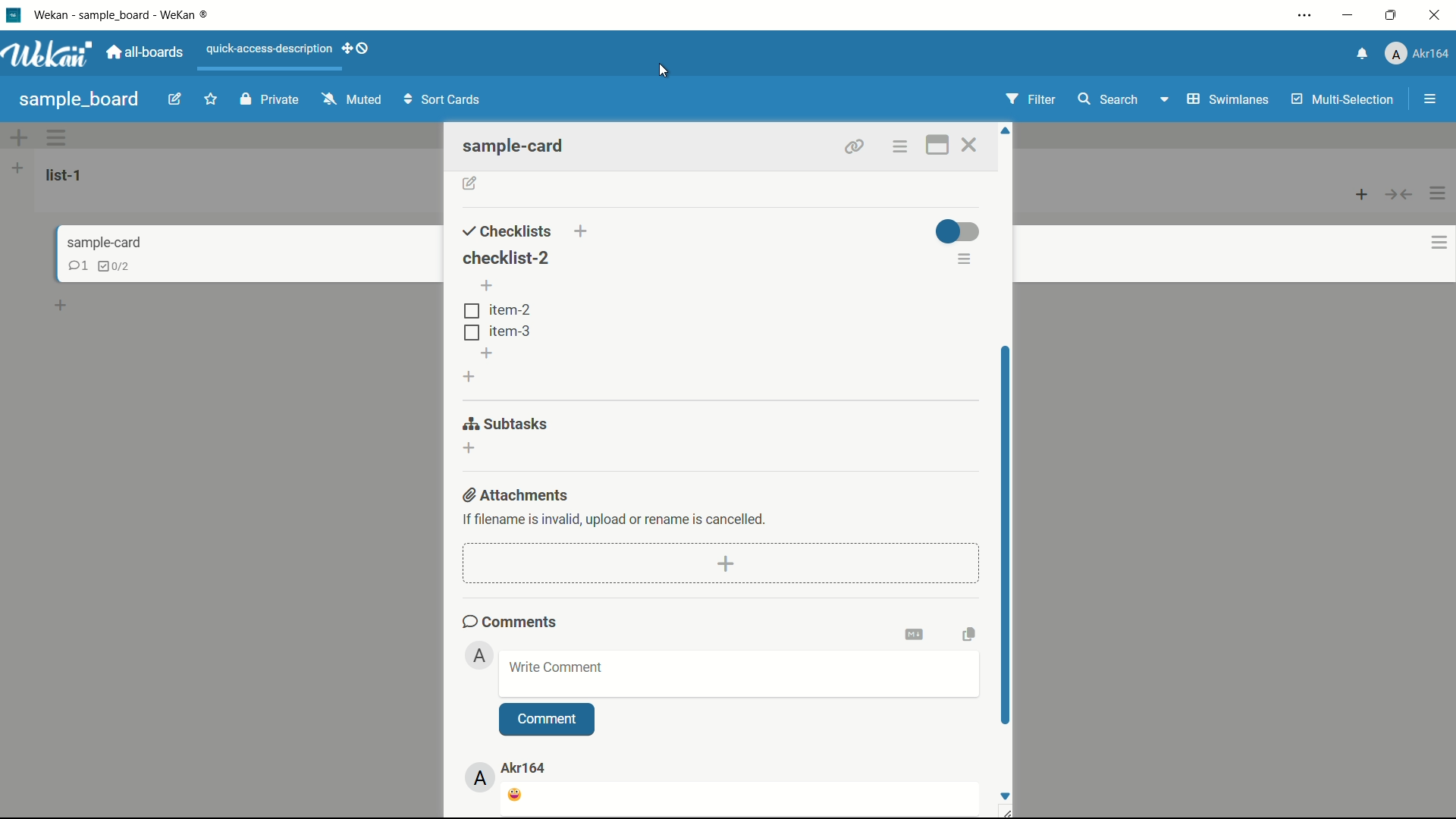 Image resolution: width=1456 pixels, height=819 pixels. Describe the element at coordinates (149, 52) in the screenshot. I see `all boards` at that location.